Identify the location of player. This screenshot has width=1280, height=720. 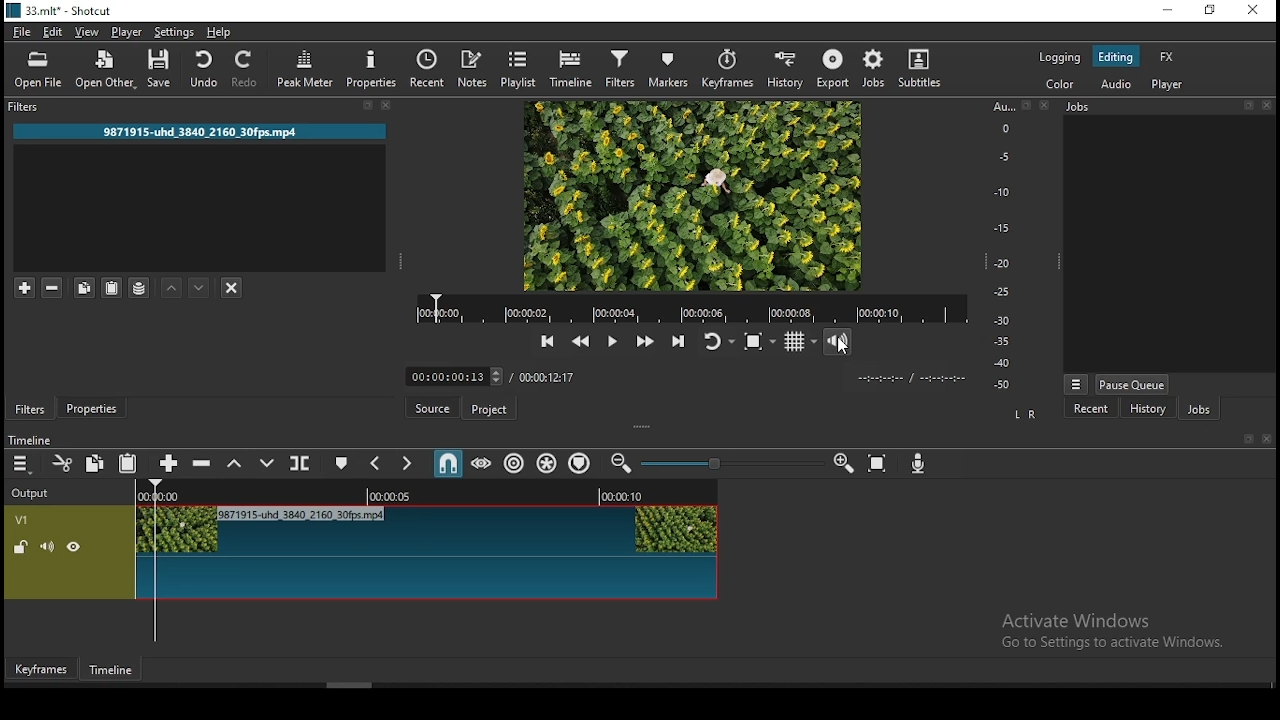
(1167, 84).